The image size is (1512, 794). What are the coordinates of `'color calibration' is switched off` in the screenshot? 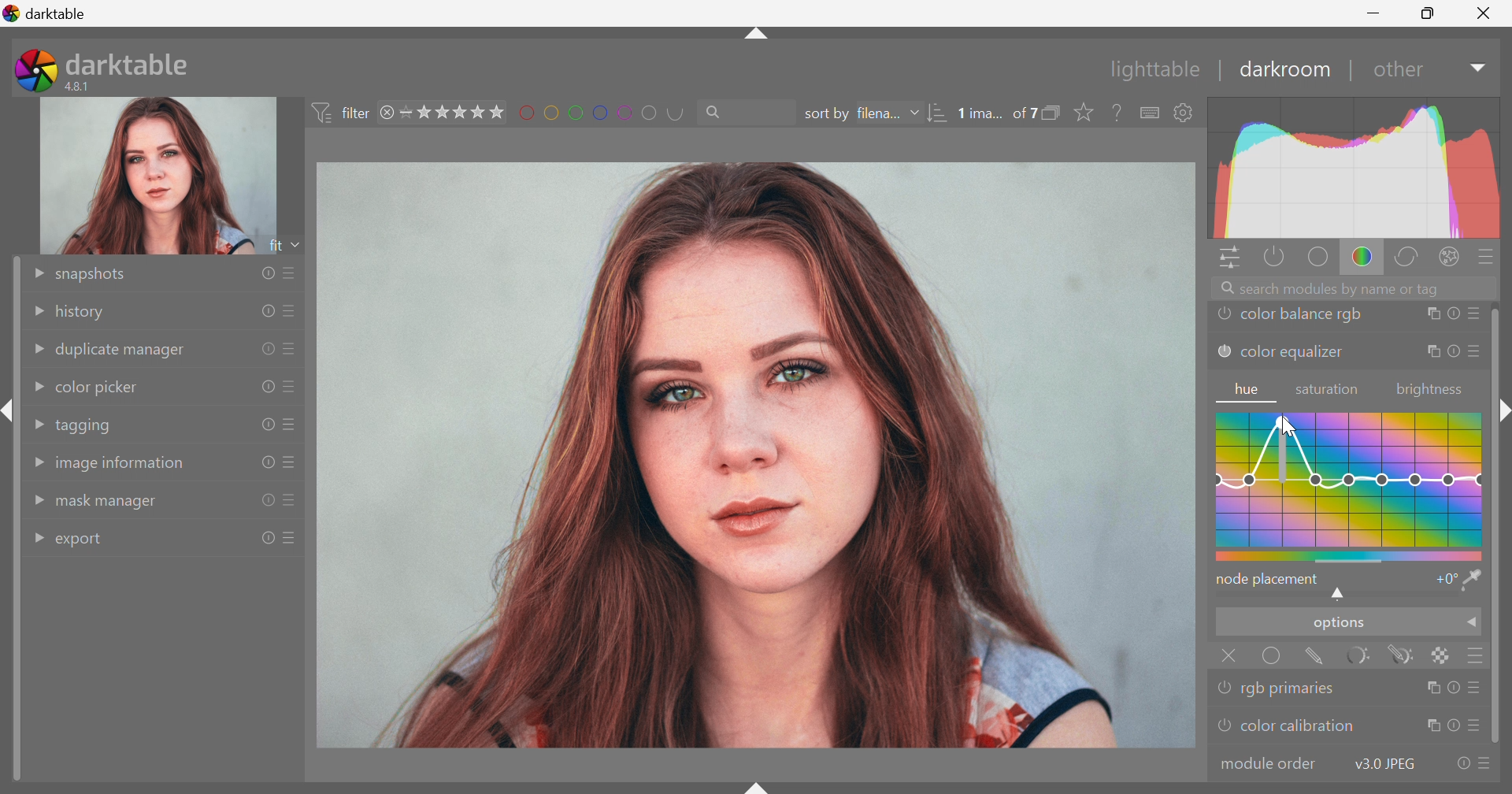 It's located at (1221, 728).